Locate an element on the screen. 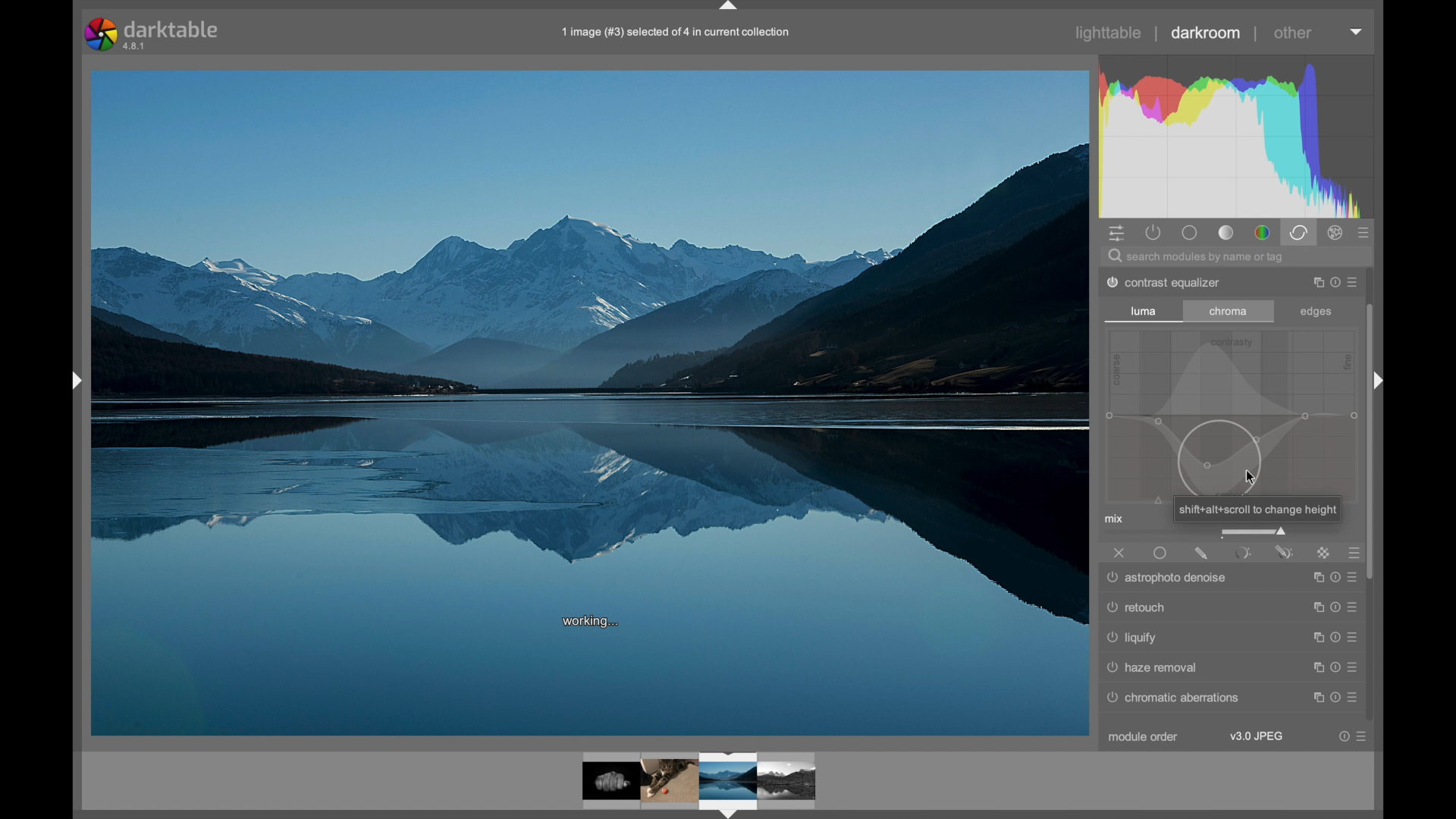 The image size is (1456, 819). denoise is located at coordinates (1161, 637).